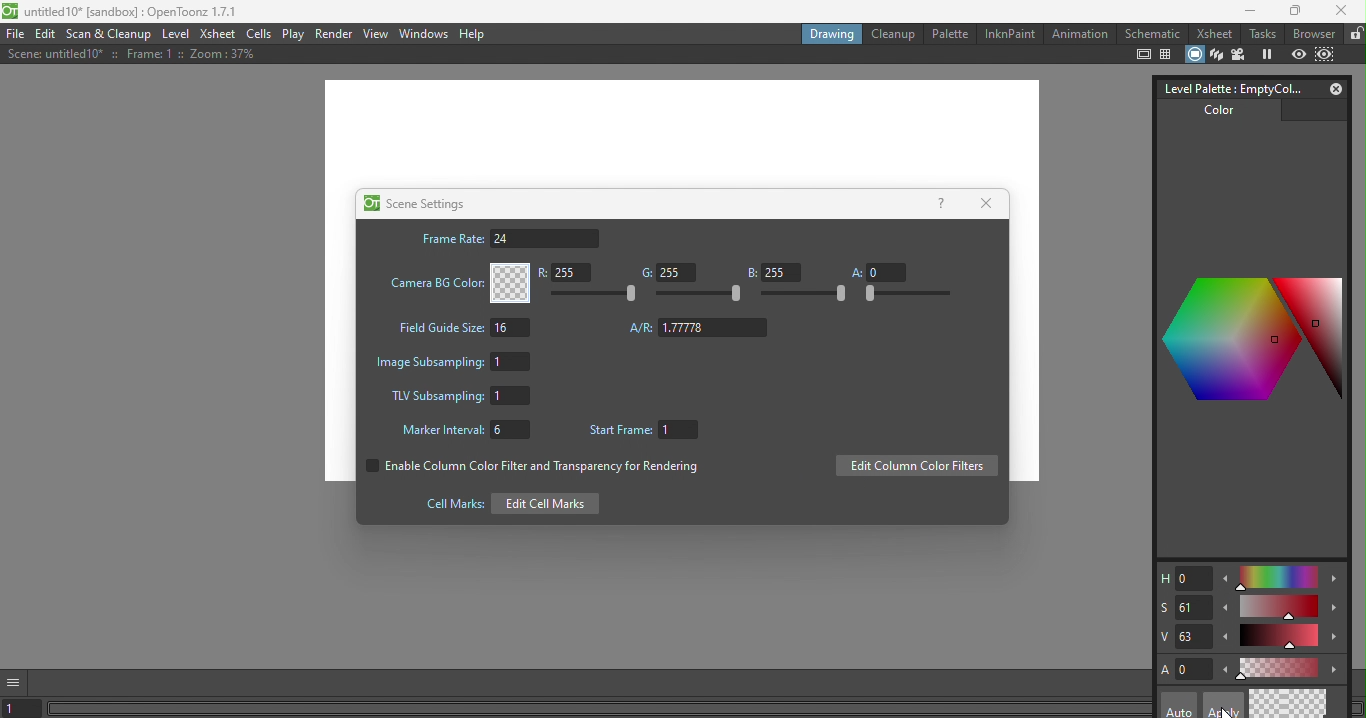 The width and height of the screenshot is (1366, 718). I want to click on Slide bar, so click(1281, 638).